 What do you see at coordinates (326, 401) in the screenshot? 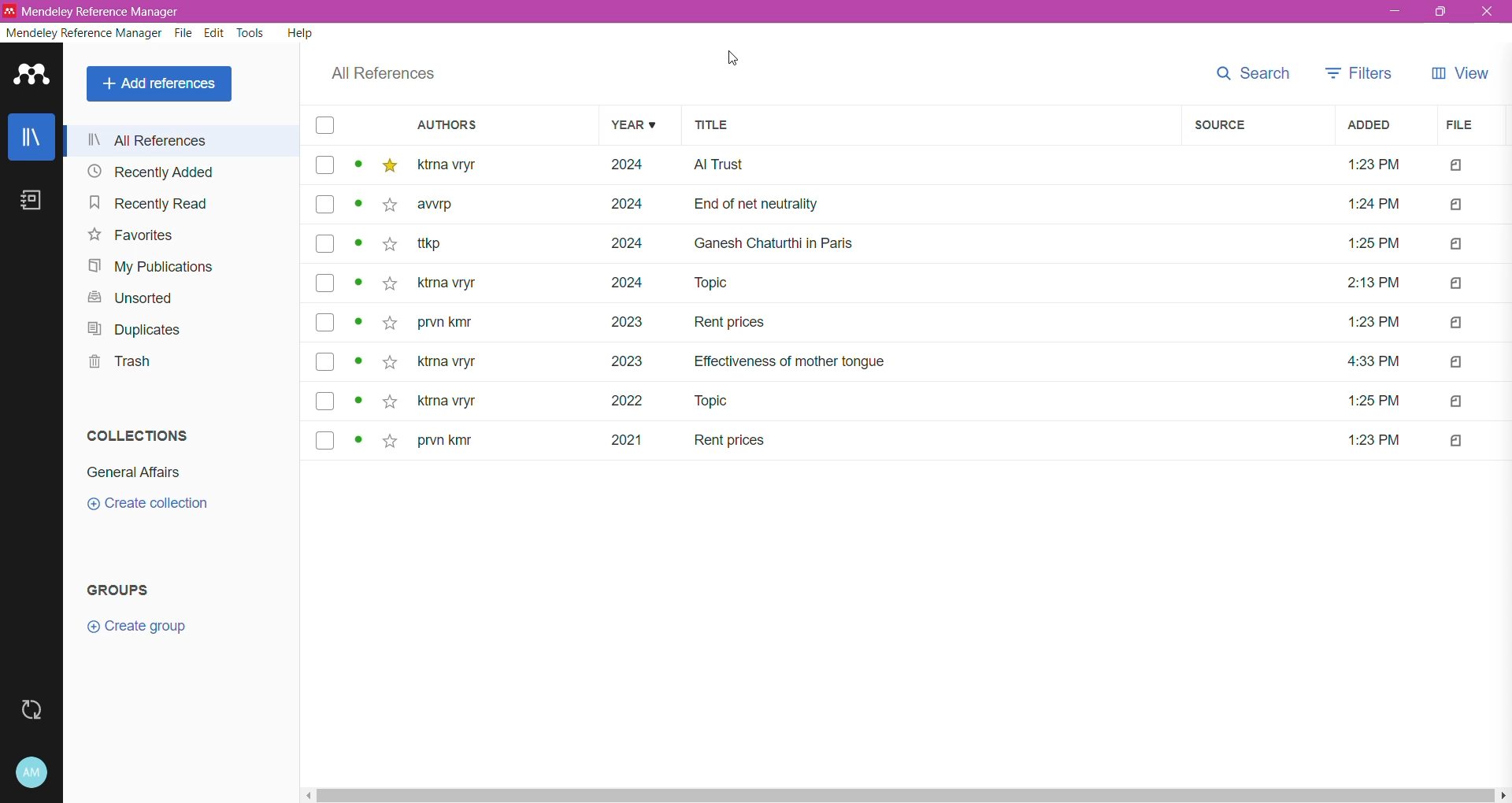
I see `select` at bounding box center [326, 401].